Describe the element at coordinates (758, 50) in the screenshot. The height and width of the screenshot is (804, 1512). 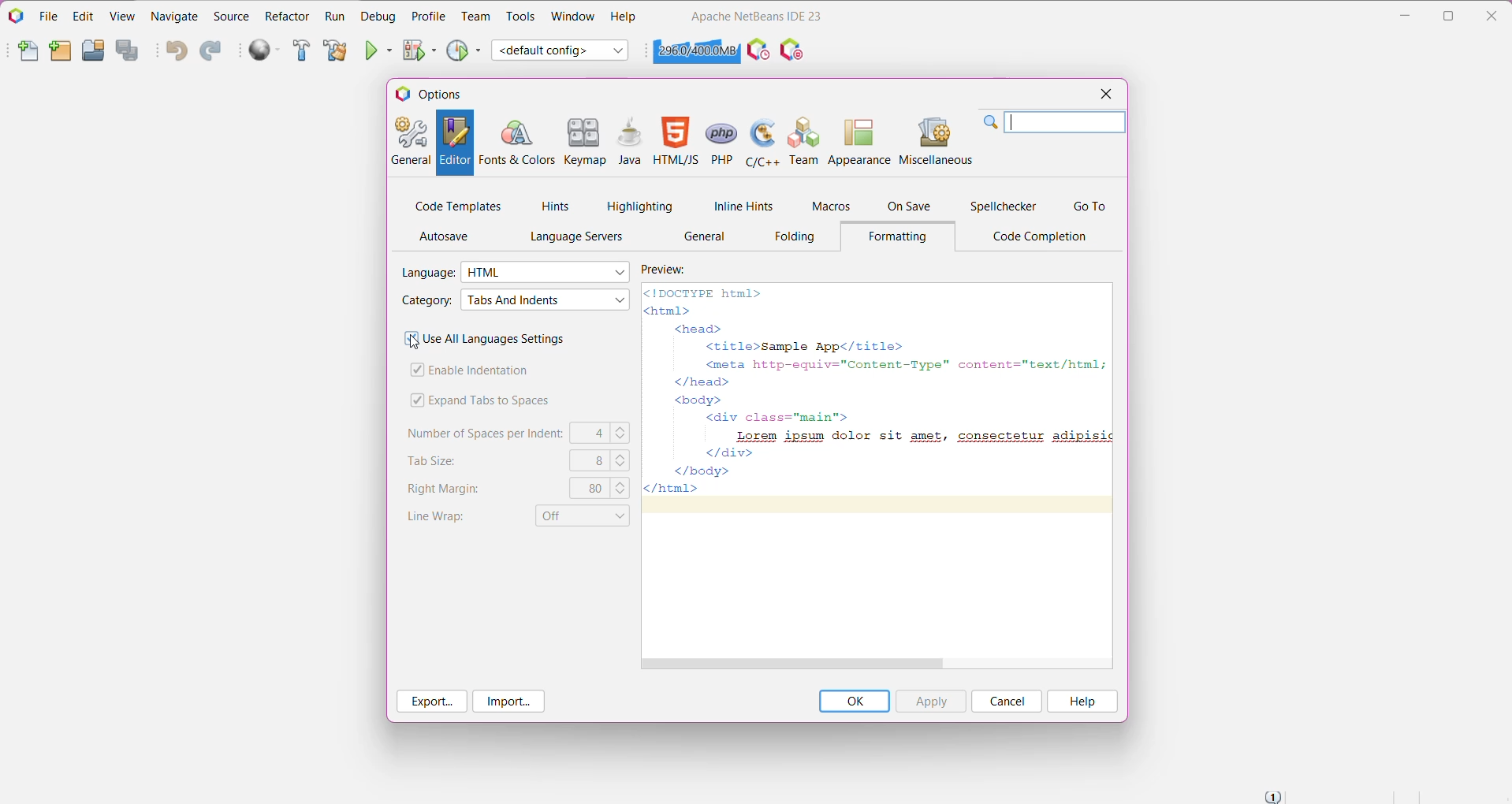
I see `Profile the IDE` at that location.